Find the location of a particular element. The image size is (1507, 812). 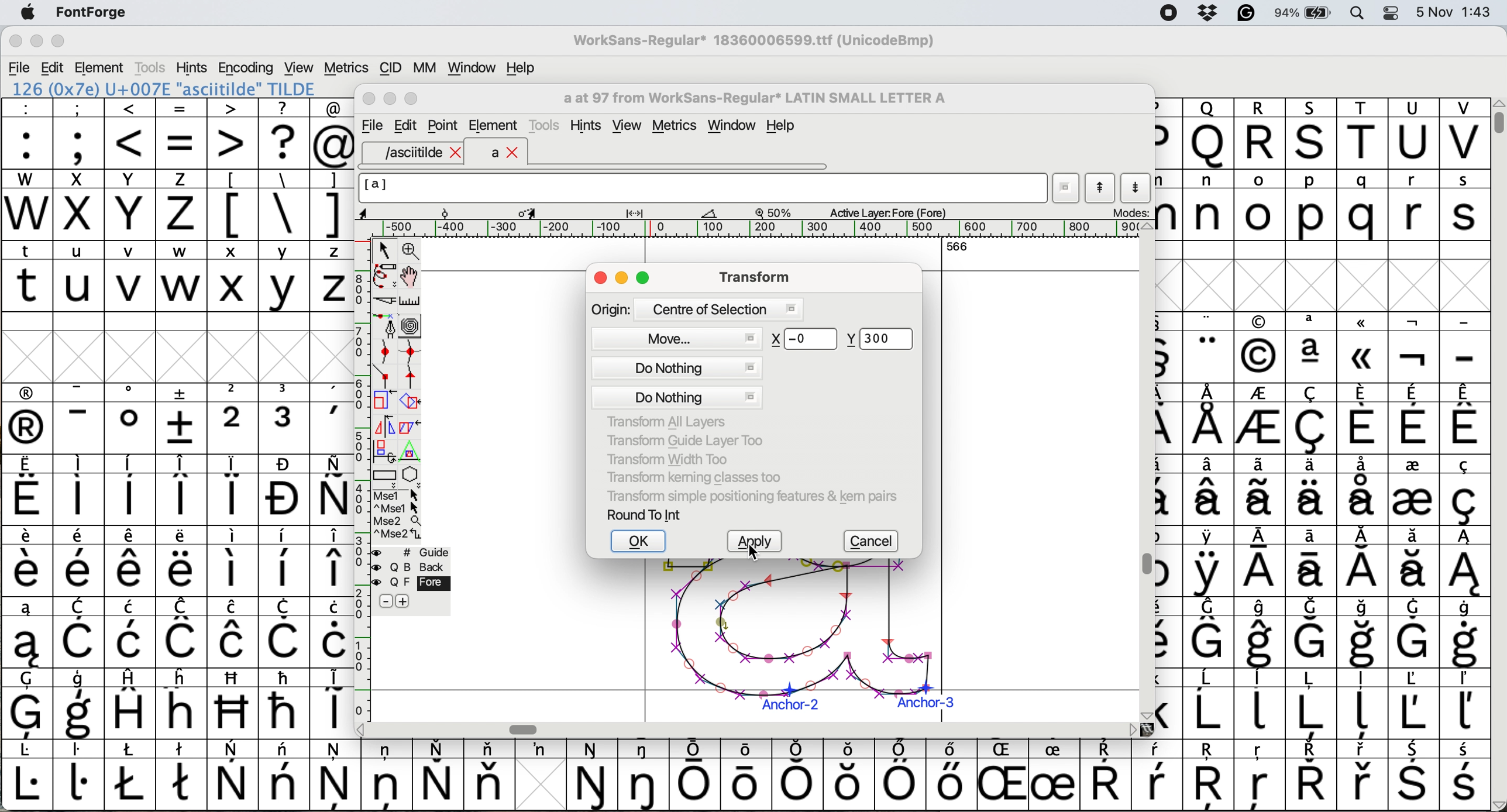

symbol is located at coordinates (28, 419).